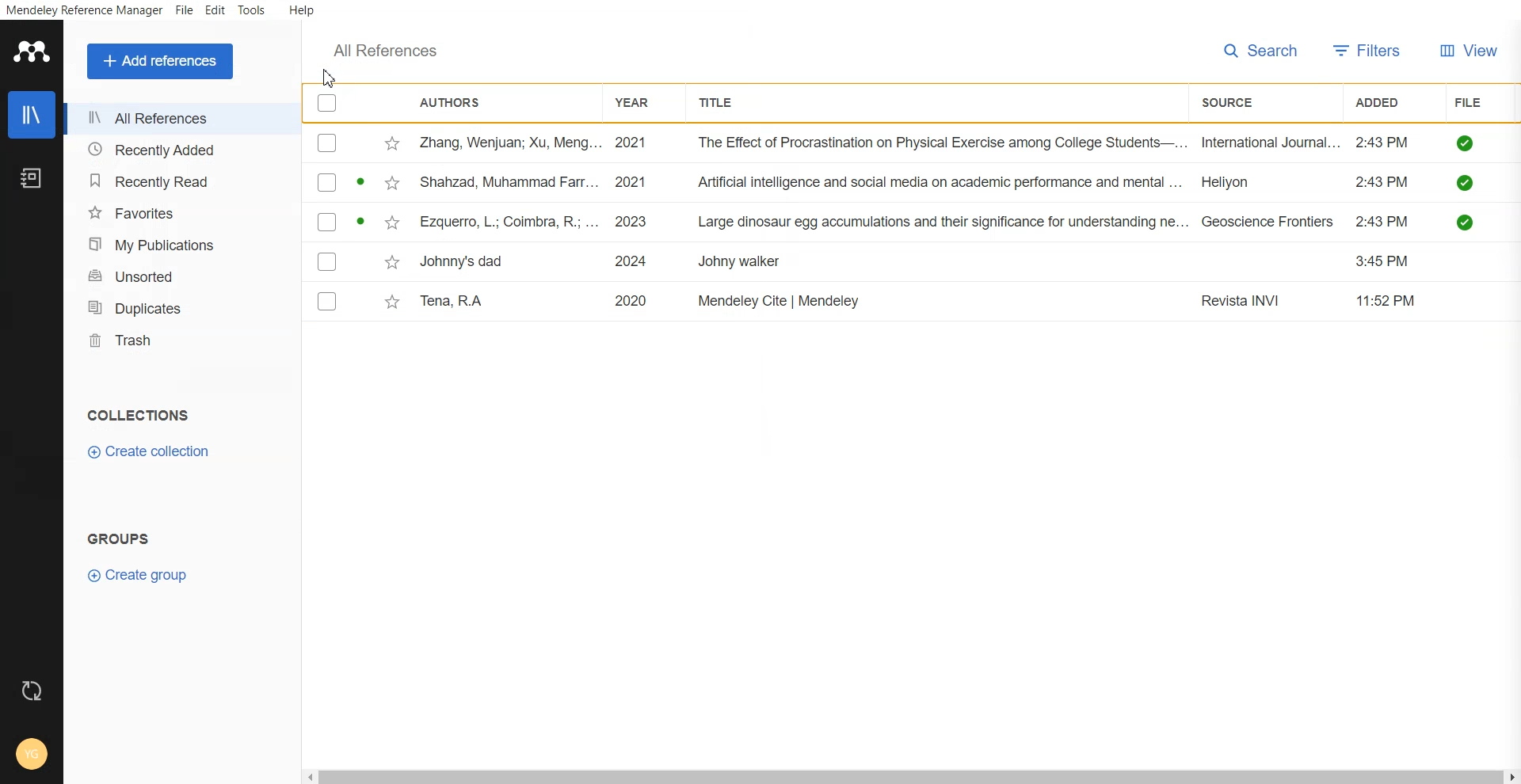 The image size is (1521, 784). What do you see at coordinates (176, 212) in the screenshot?
I see `Favorites` at bounding box center [176, 212].